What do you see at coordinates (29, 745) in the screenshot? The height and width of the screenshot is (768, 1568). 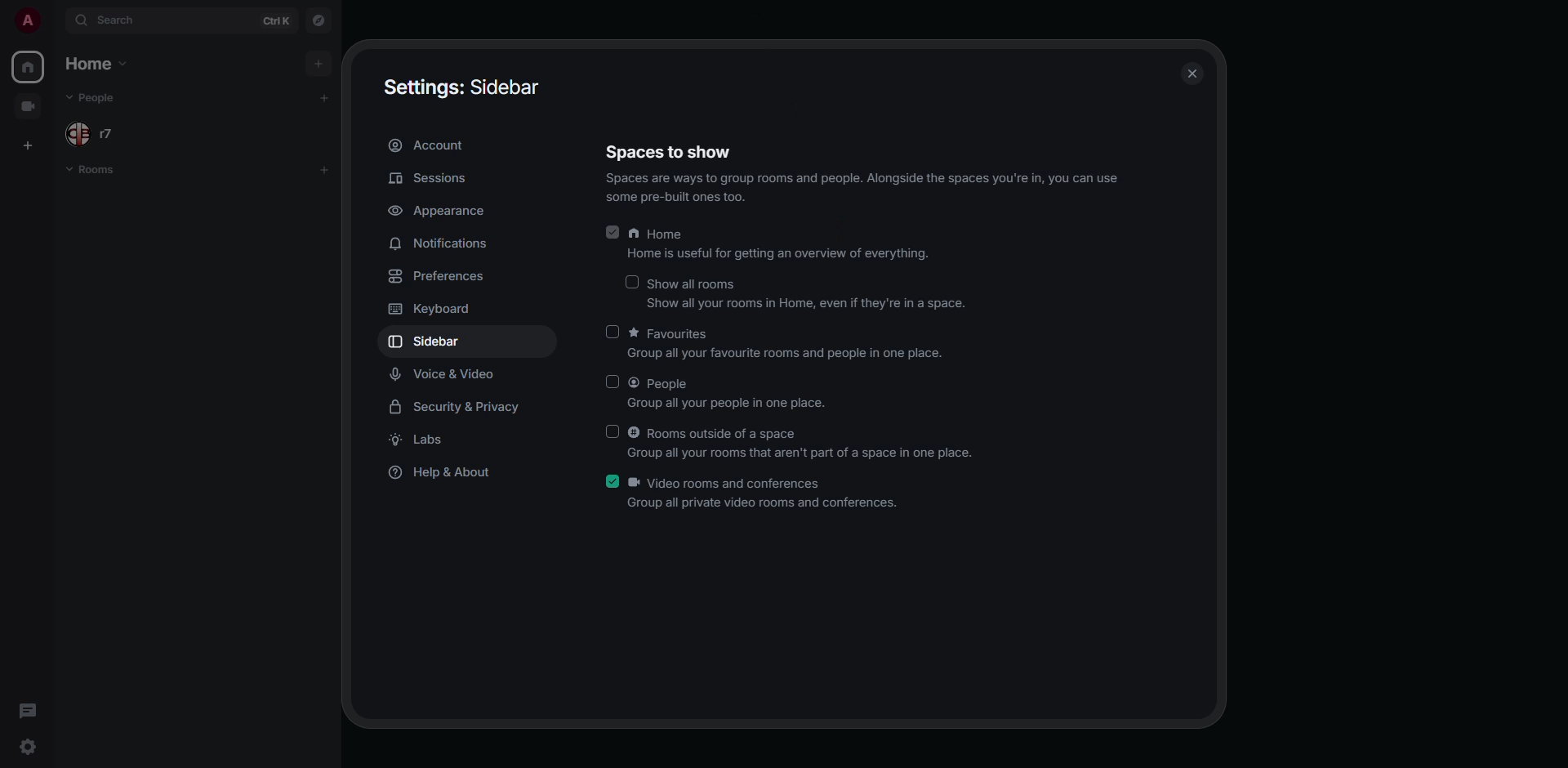 I see `quick settings` at bounding box center [29, 745].